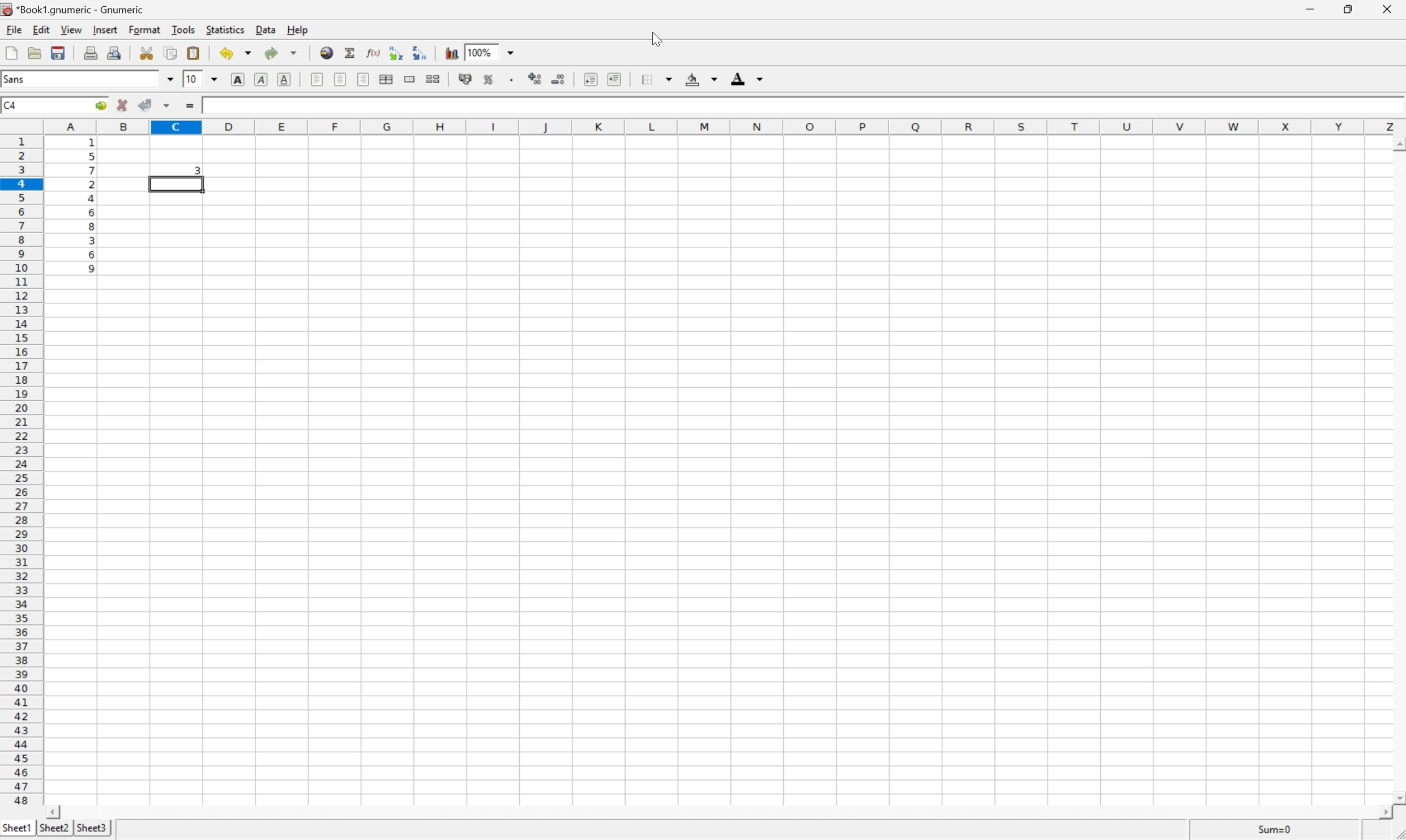  I want to click on restore down, so click(1351, 10).